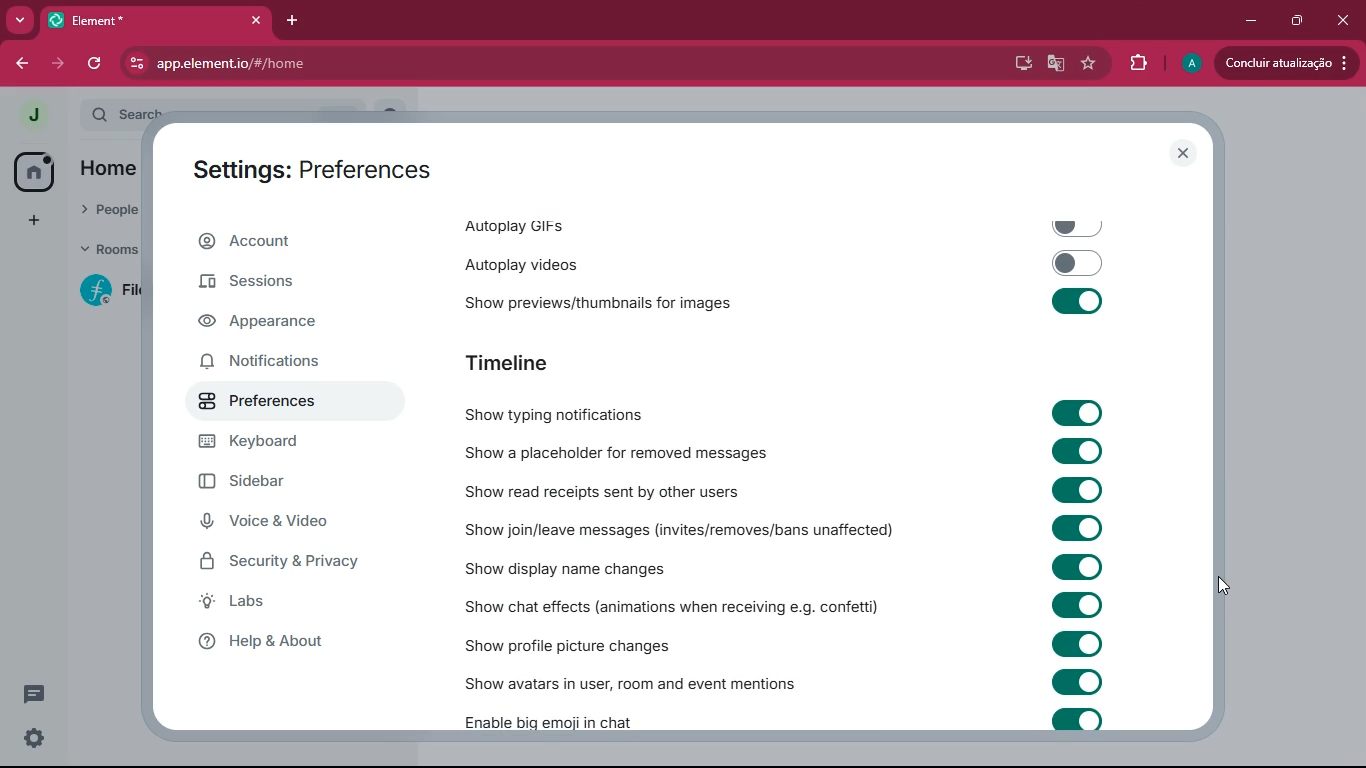 Image resolution: width=1366 pixels, height=768 pixels. Describe the element at coordinates (33, 697) in the screenshot. I see `conversation` at that location.